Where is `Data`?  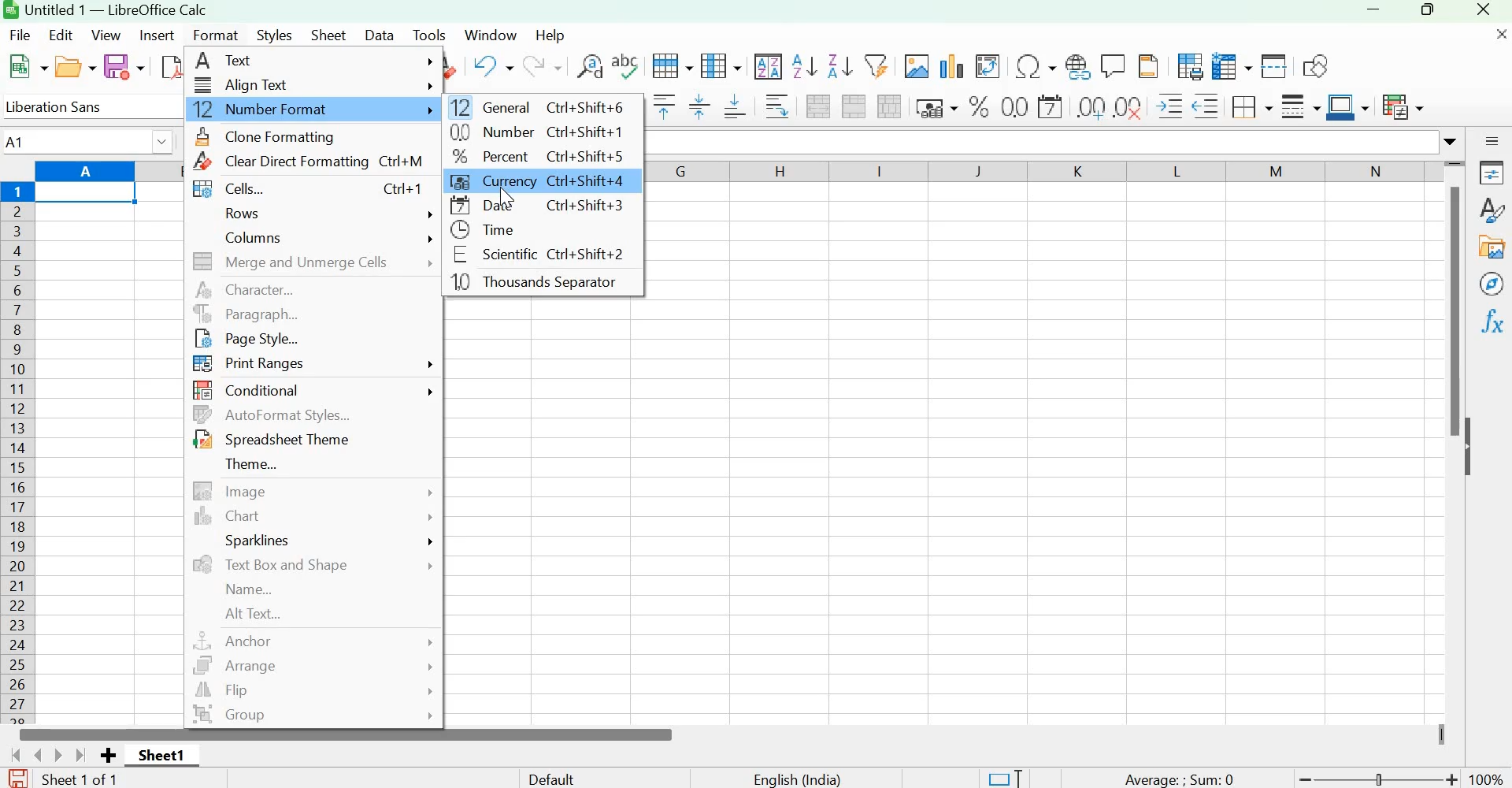 Data is located at coordinates (380, 34).